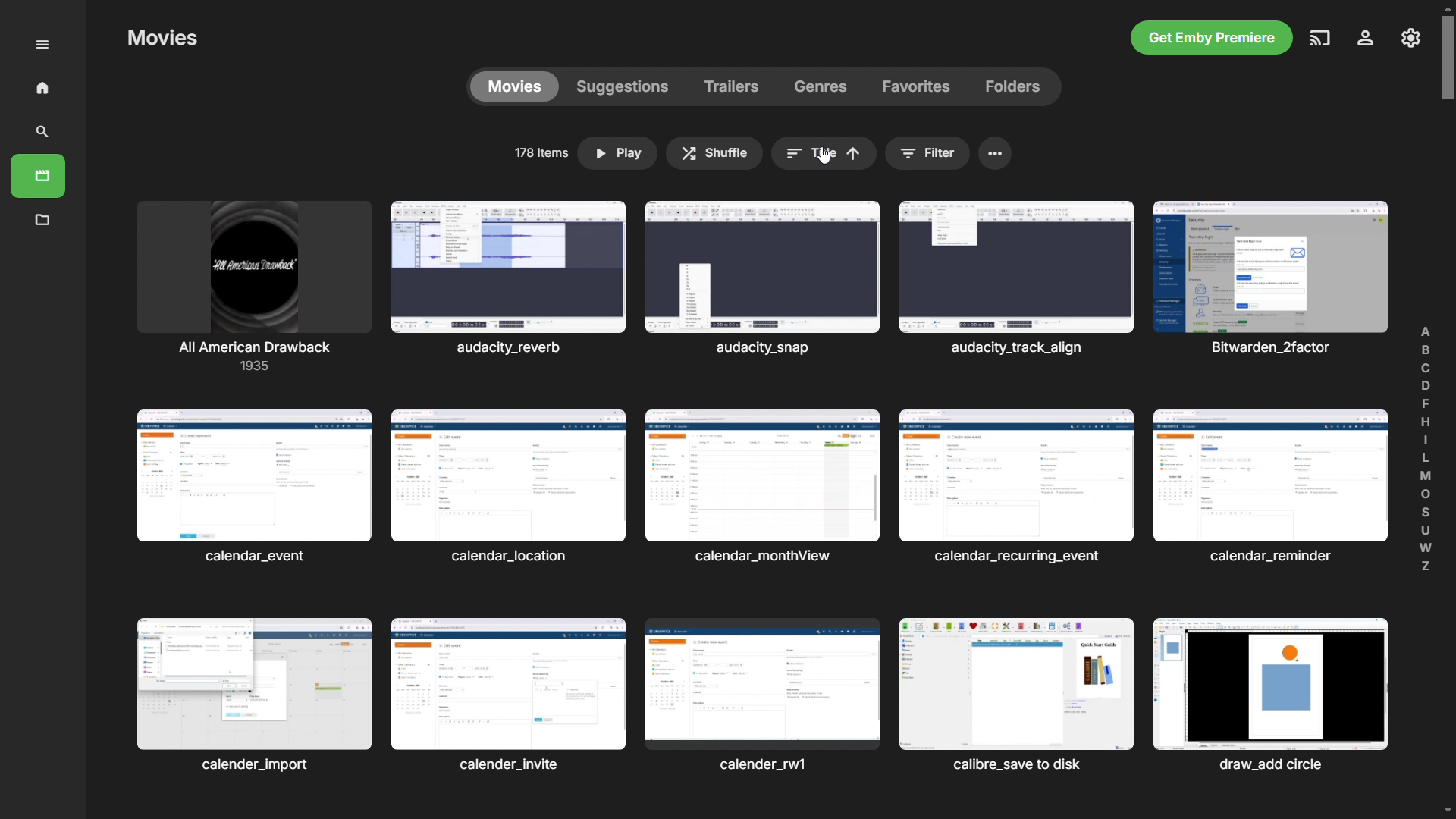 This screenshot has height=819, width=1456. I want to click on account, so click(1363, 39).